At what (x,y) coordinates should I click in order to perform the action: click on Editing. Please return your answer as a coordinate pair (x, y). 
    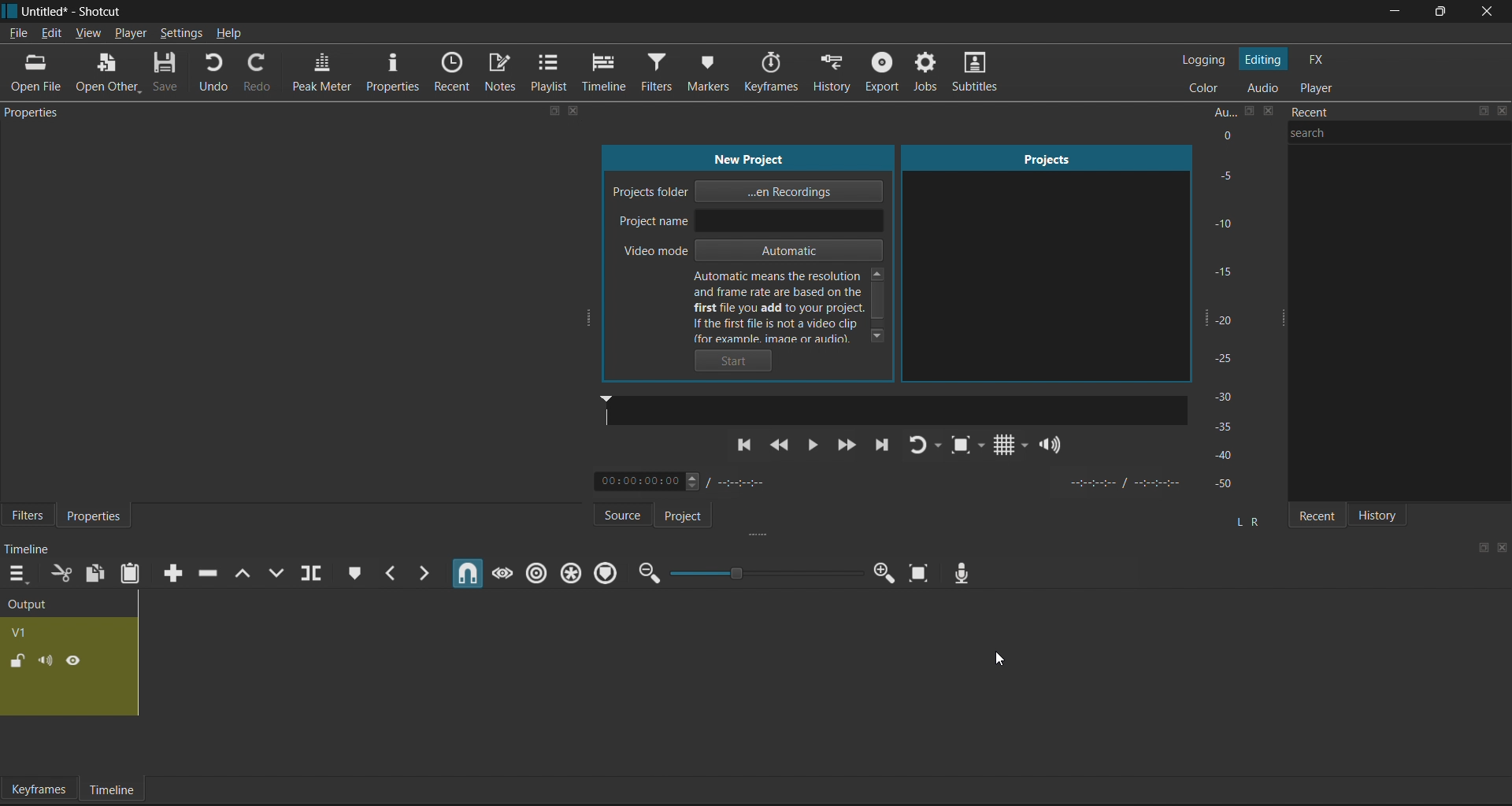
    Looking at the image, I should click on (1263, 60).